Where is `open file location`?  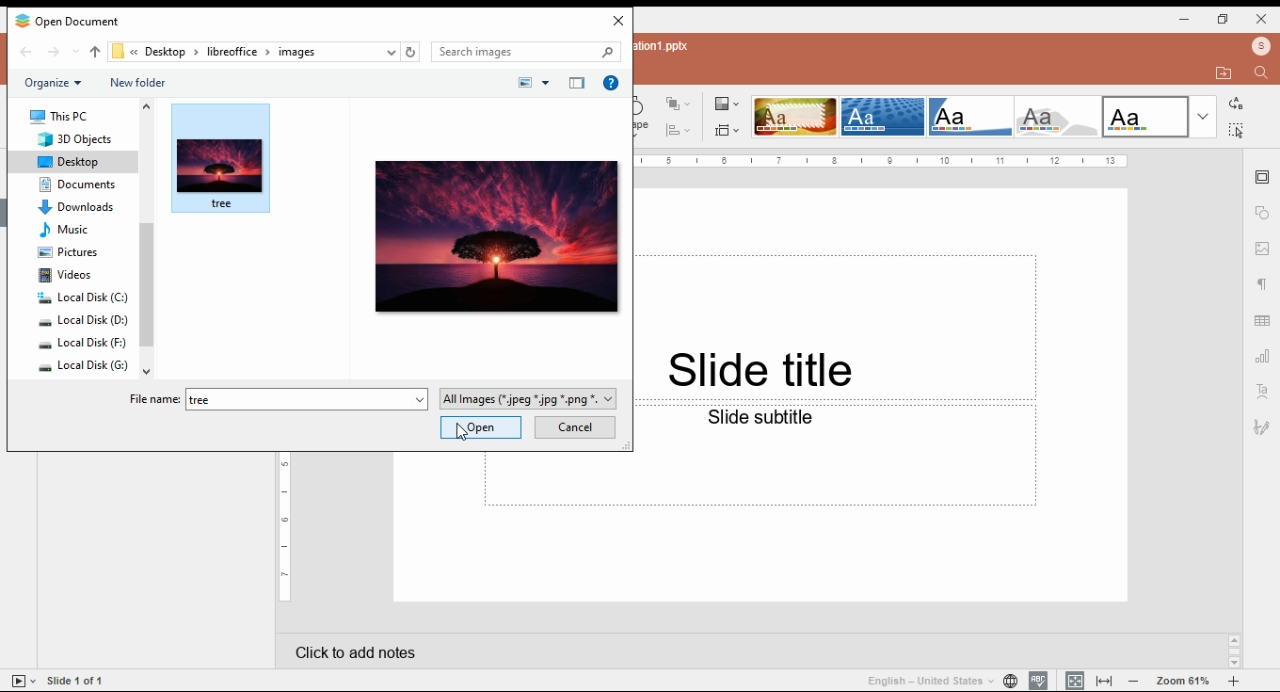 open file location is located at coordinates (1224, 73).